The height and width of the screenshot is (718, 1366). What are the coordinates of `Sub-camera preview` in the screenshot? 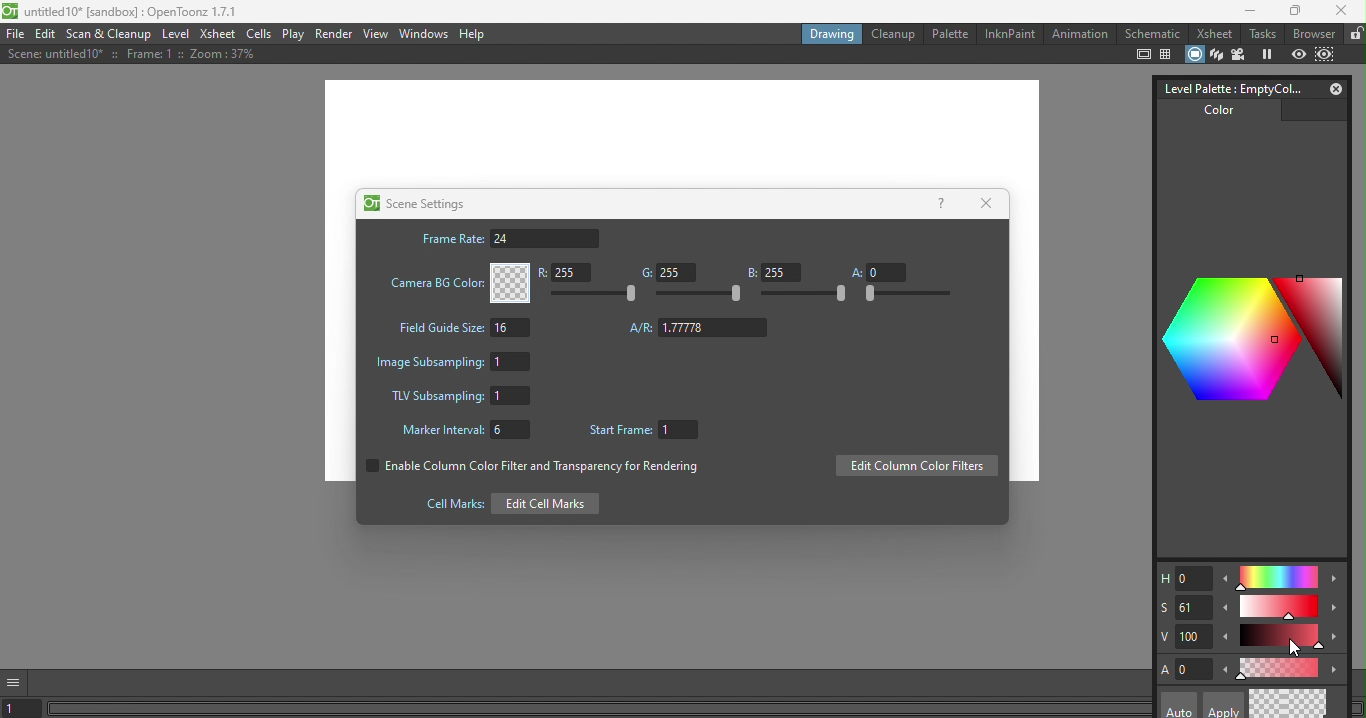 It's located at (1326, 53).